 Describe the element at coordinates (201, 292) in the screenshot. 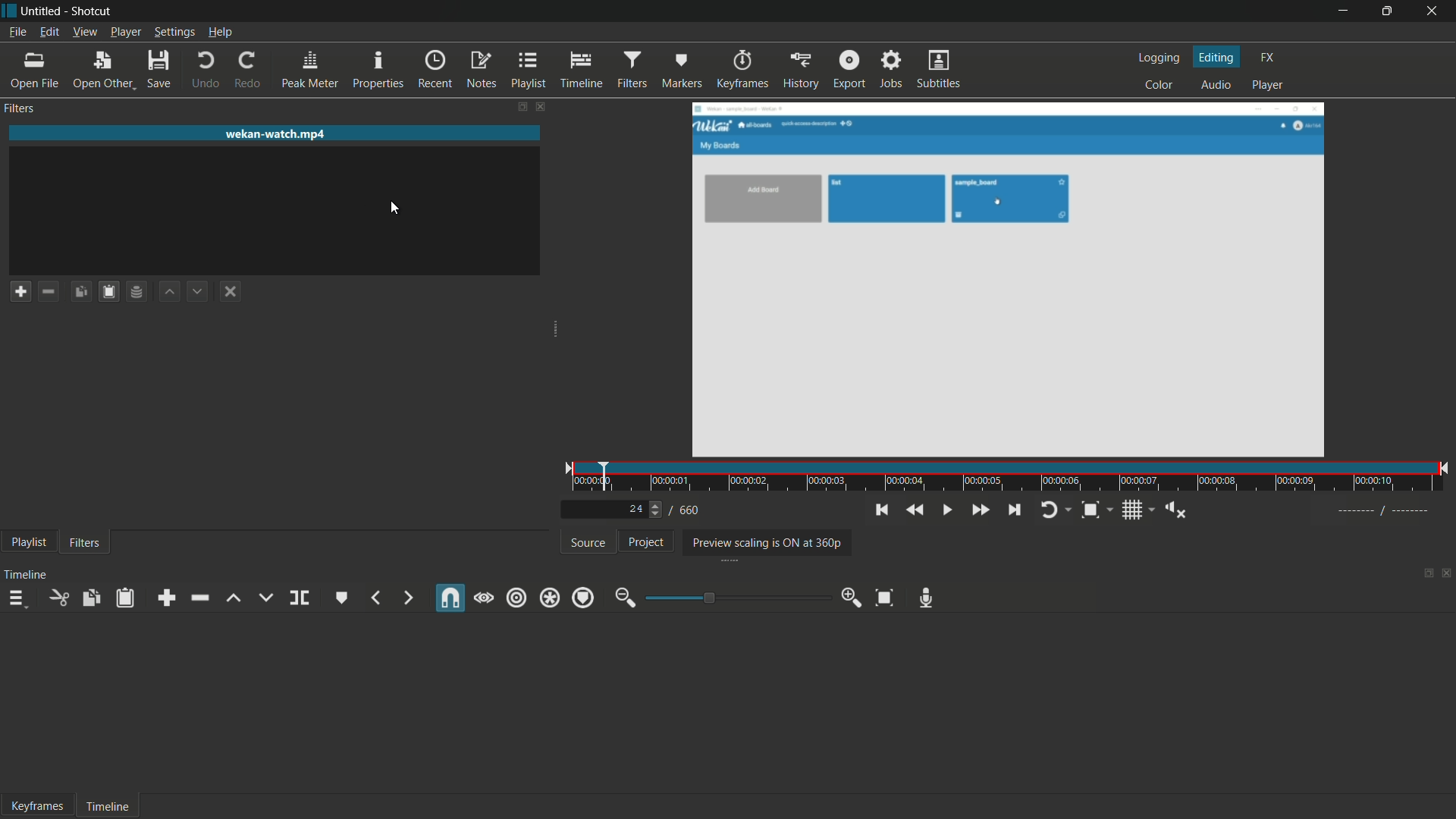

I see `move filter down` at that location.